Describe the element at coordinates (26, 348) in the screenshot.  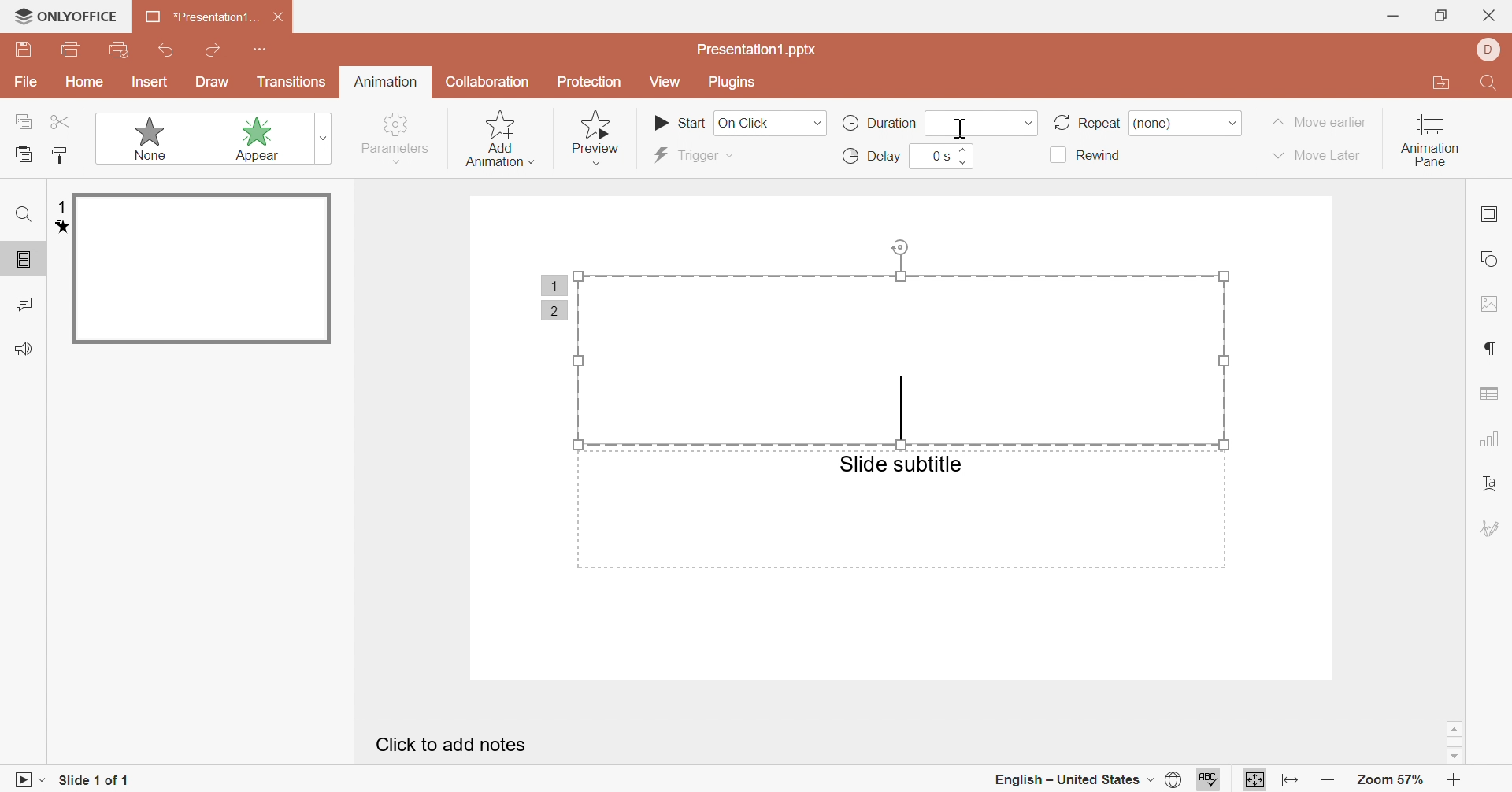
I see `feedback & support` at that location.